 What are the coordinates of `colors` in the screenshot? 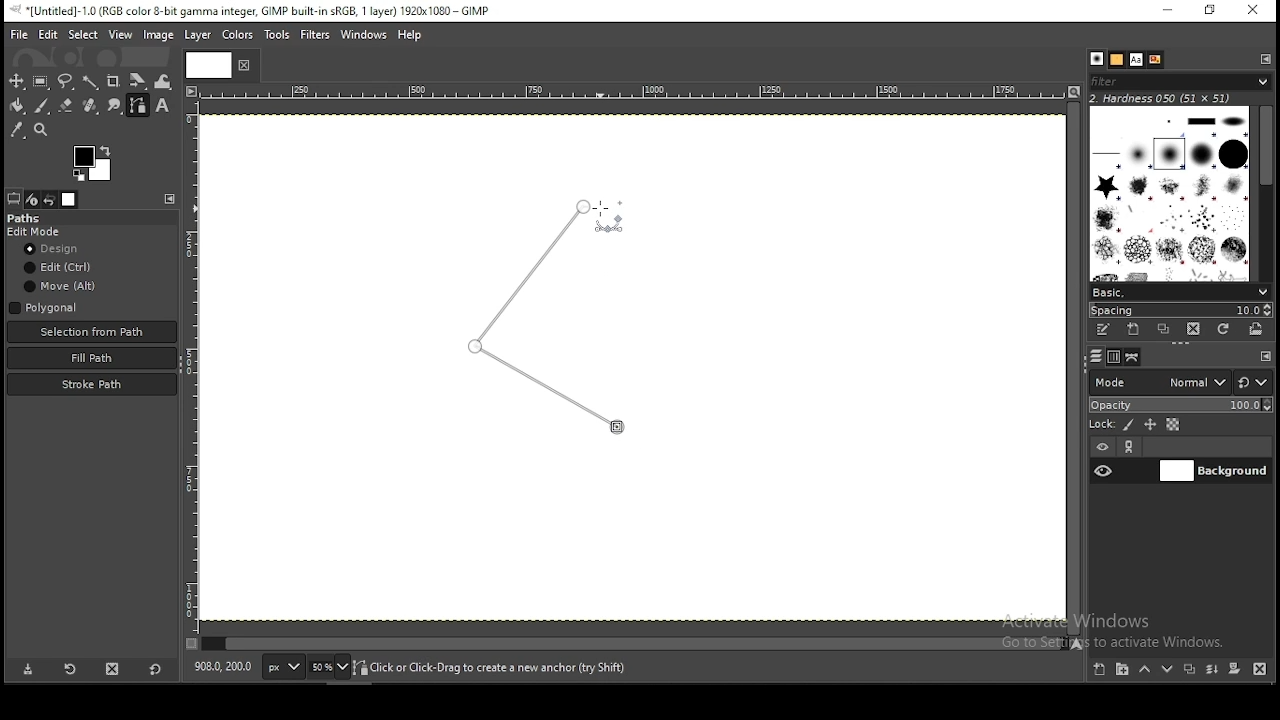 It's located at (238, 33).